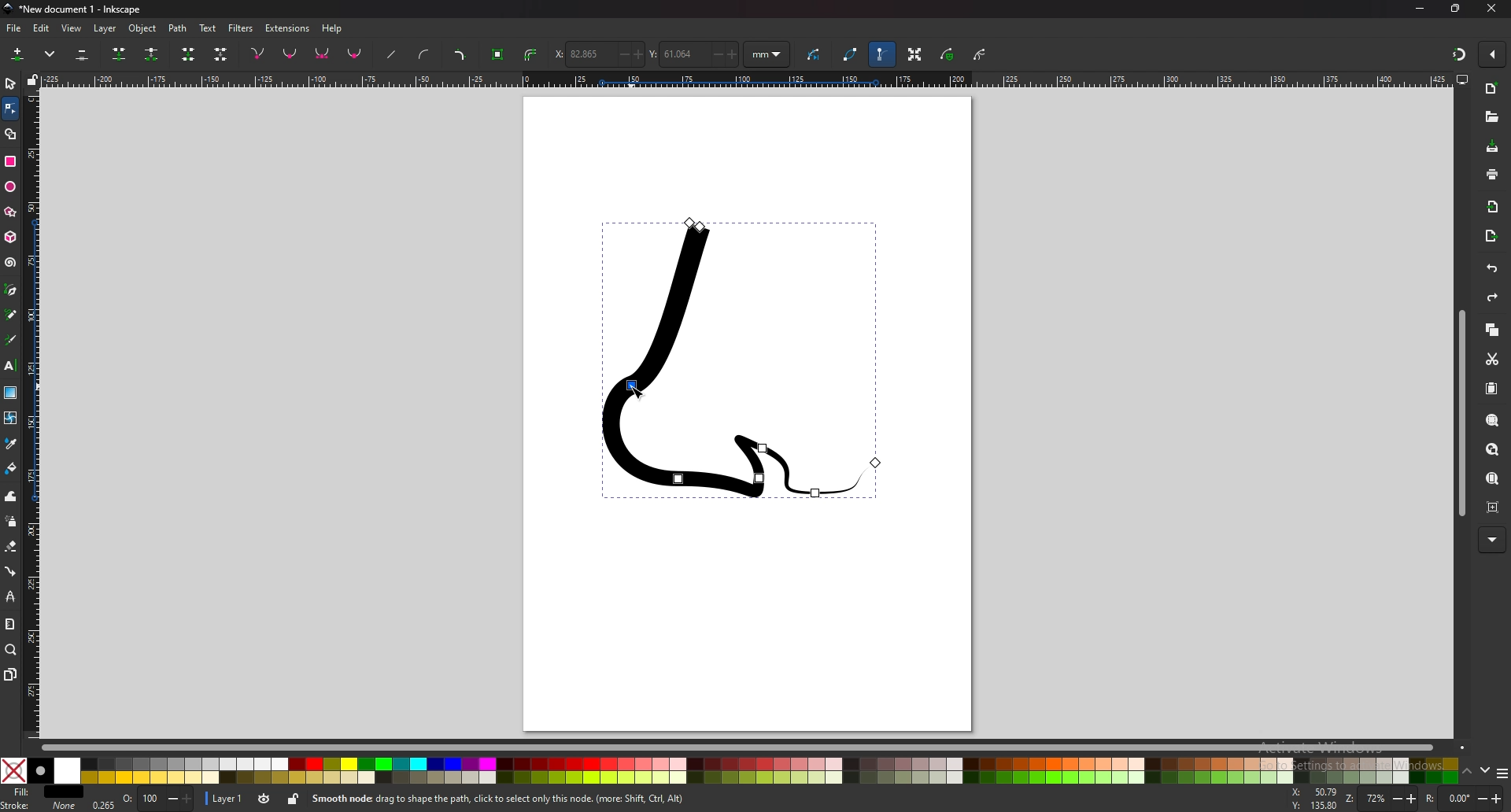 This screenshot has width=1511, height=812. What do you see at coordinates (151, 55) in the screenshot?
I see `break path at selected nodes` at bounding box center [151, 55].